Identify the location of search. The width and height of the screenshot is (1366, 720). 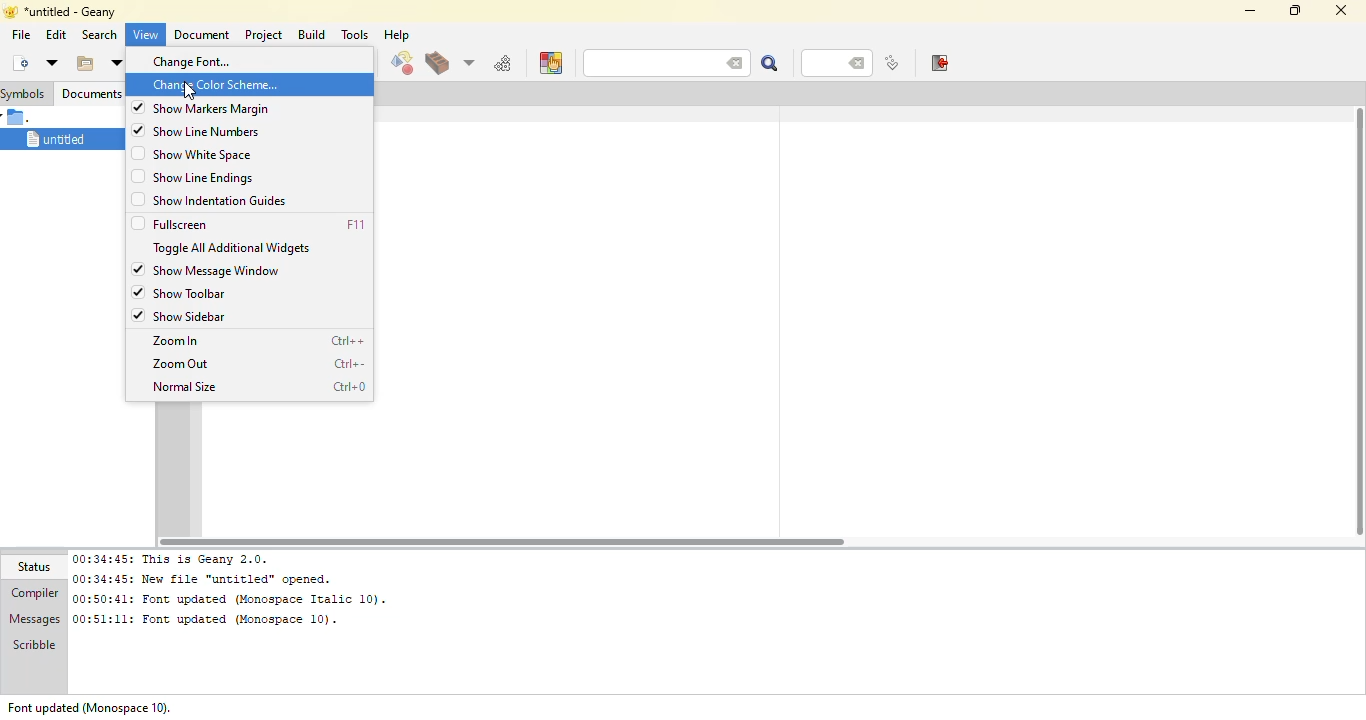
(641, 63).